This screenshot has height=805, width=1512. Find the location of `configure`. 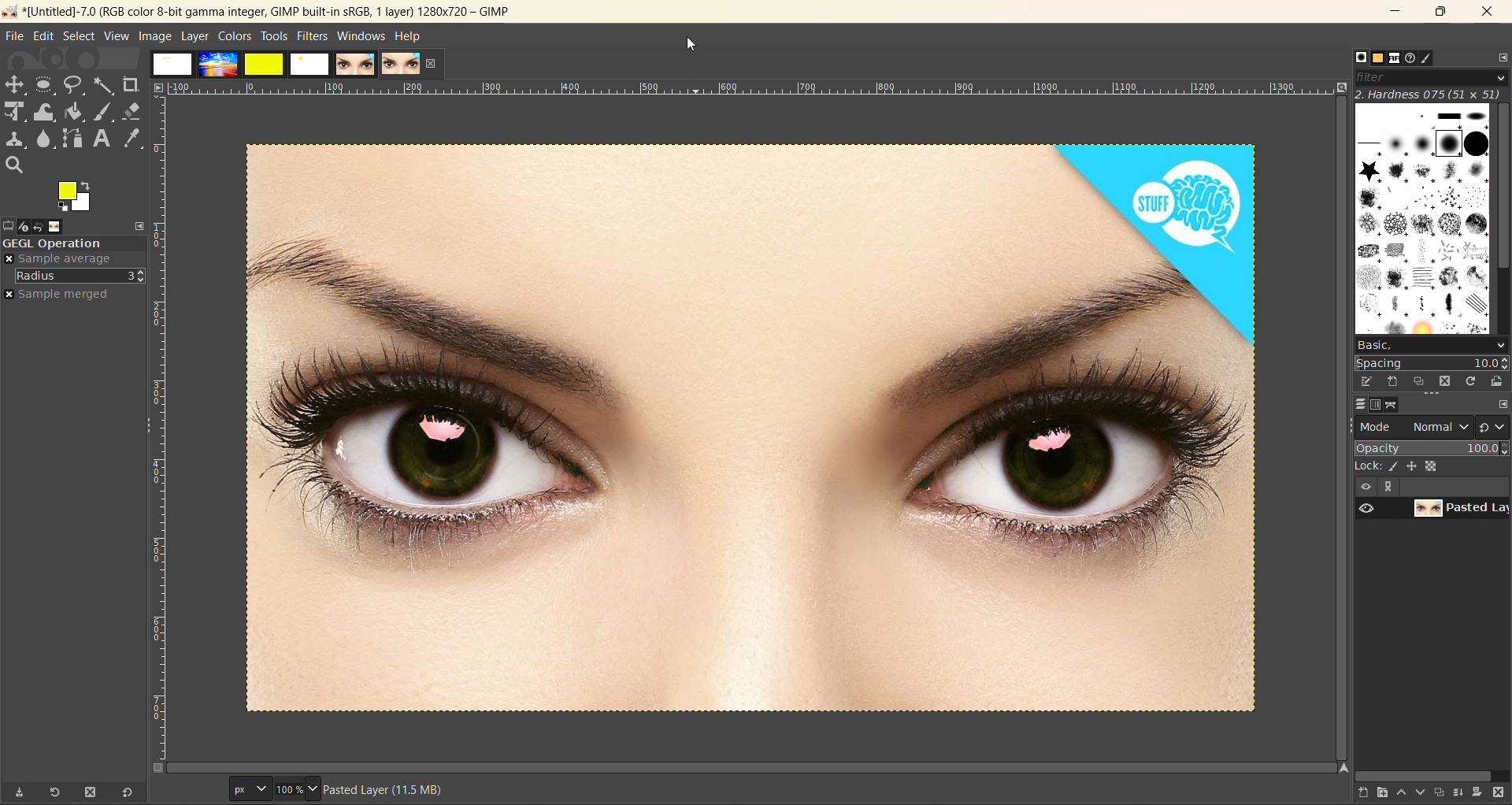

configure is located at coordinates (1503, 57).